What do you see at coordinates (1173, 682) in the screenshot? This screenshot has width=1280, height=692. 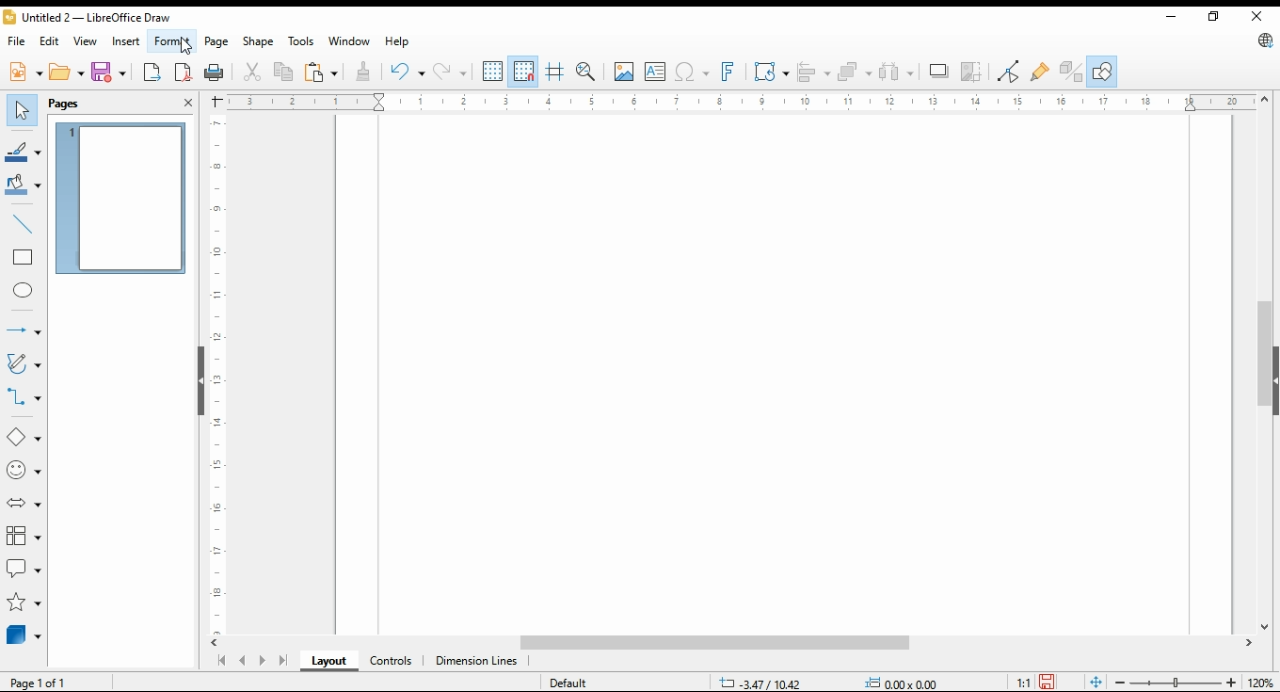 I see `zoom slider` at bounding box center [1173, 682].